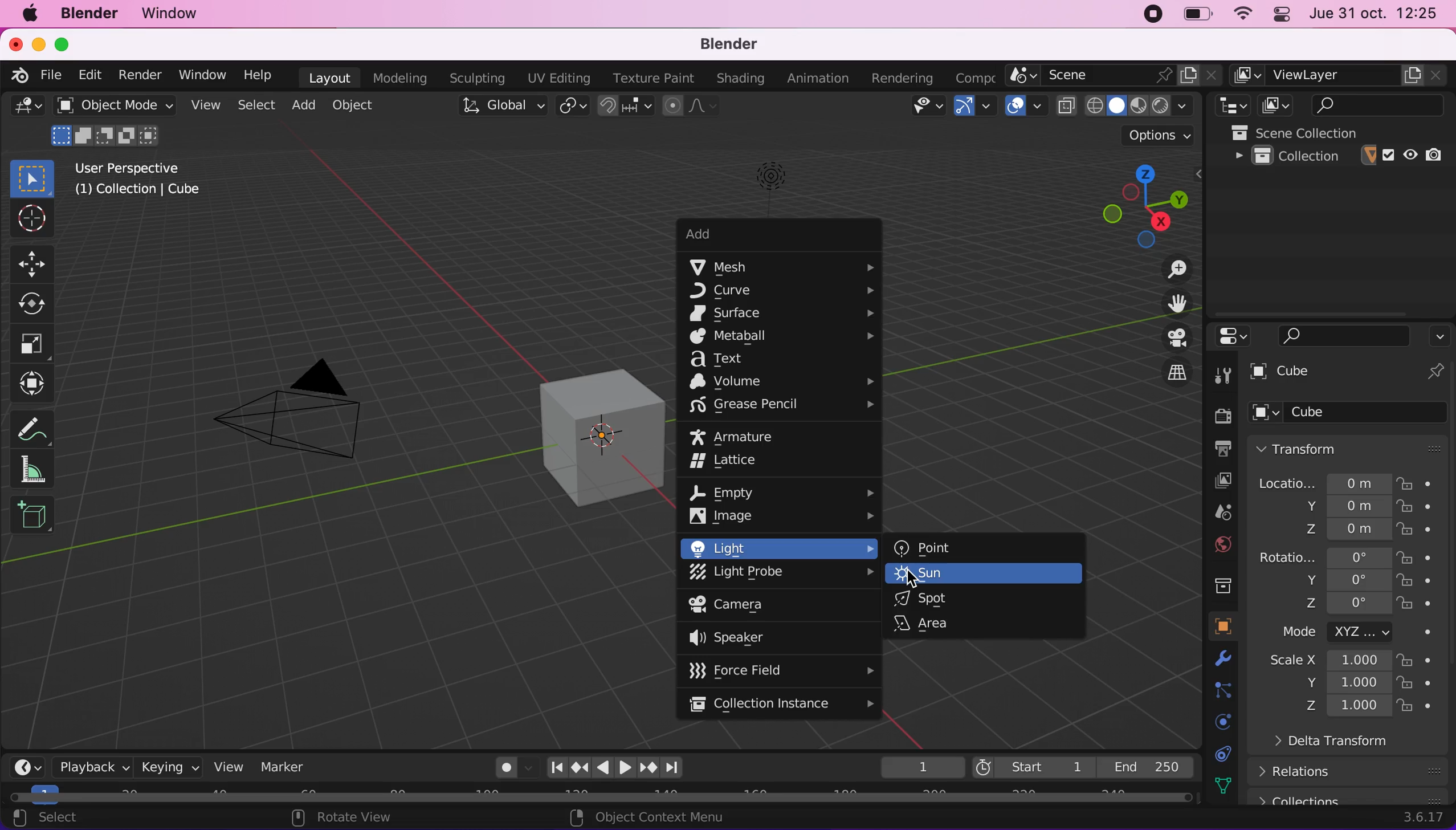 This screenshot has width=1456, height=830. Describe the element at coordinates (1166, 337) in the screenshot. I see `toggle the camera view` at that location.